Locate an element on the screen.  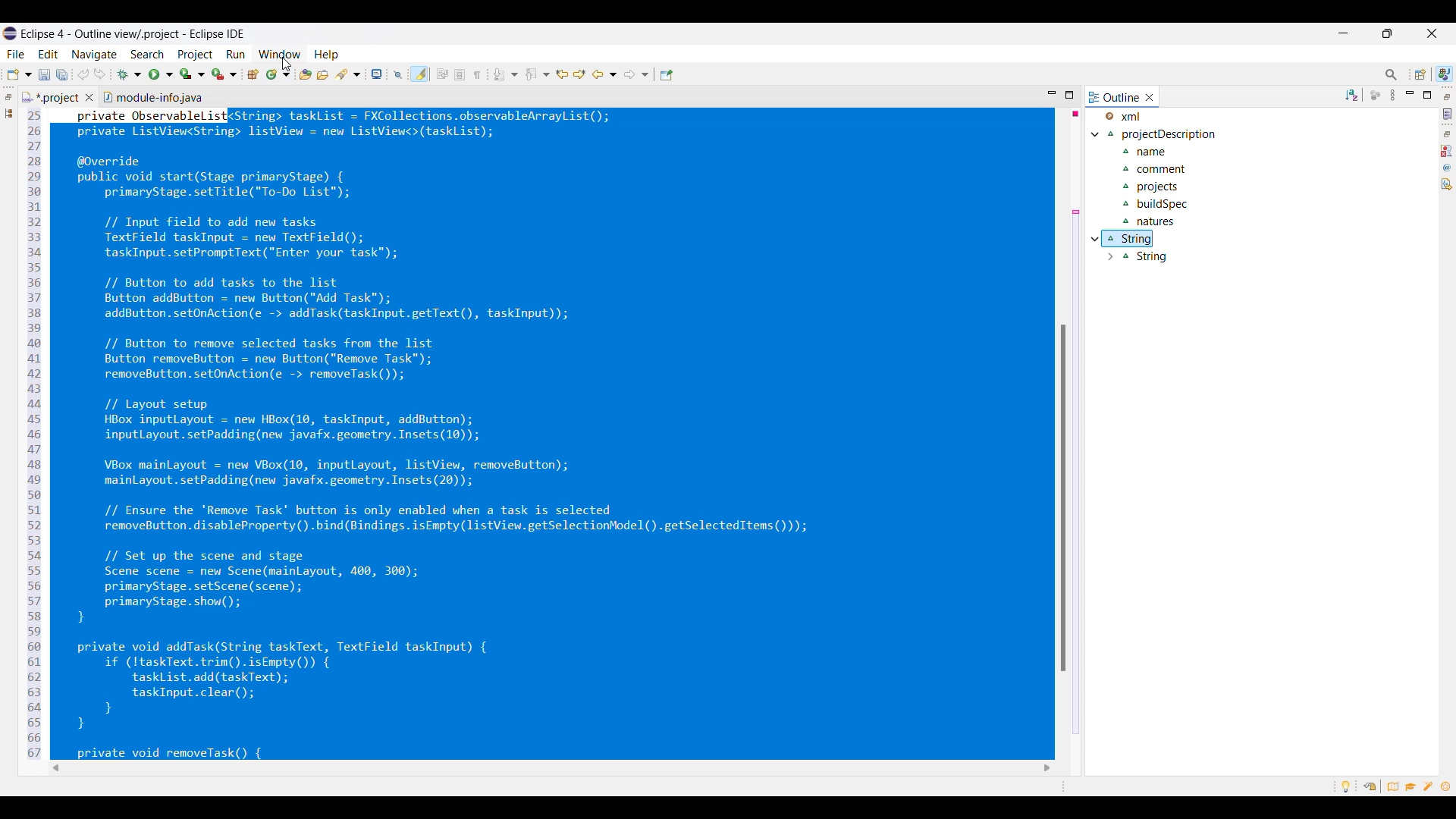
Debug options is located at coordinates (129, 74).